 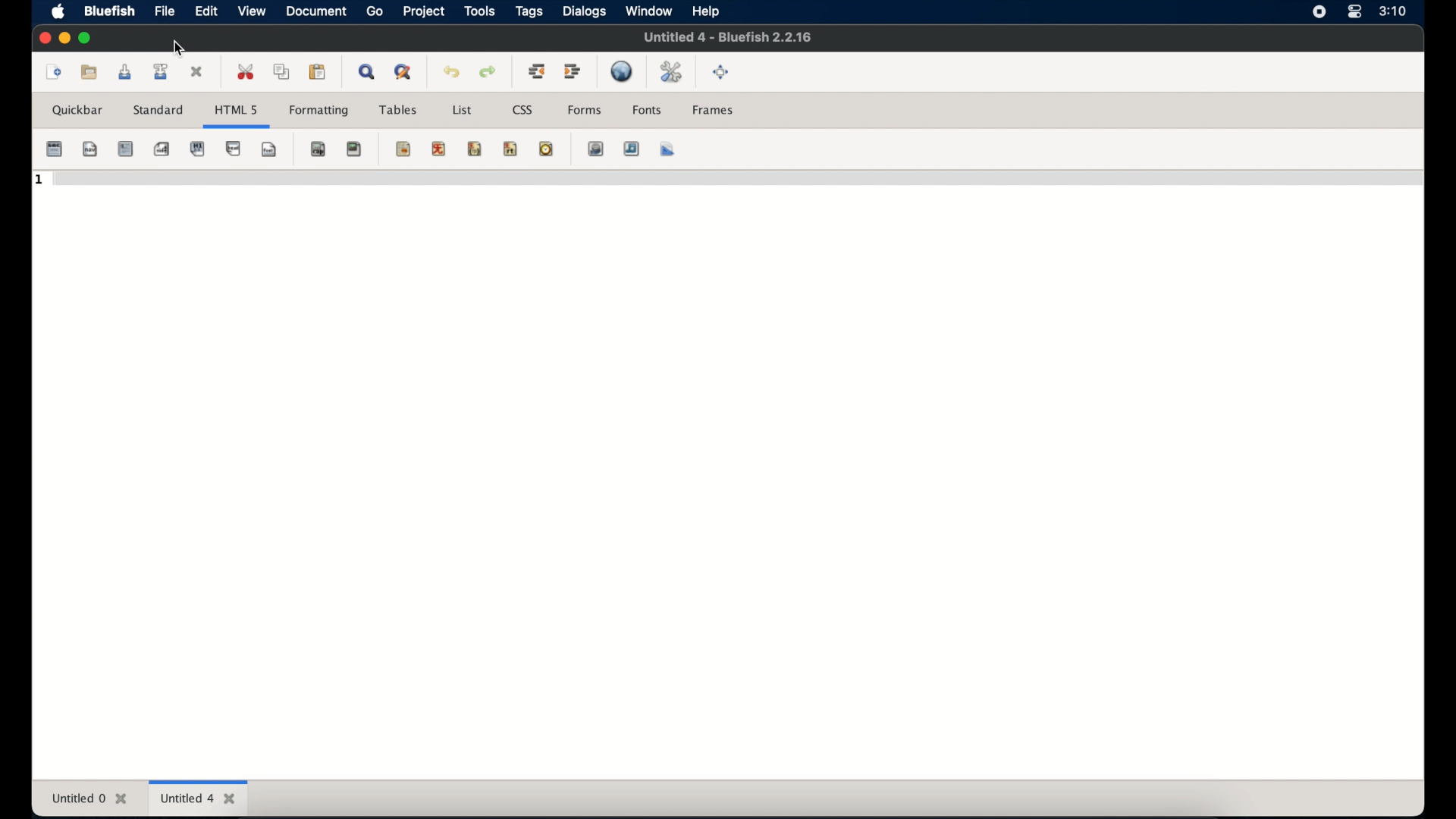 What do you see at coordinates (206, 11) in the screenshot?
I see `edit` at bounding box center [206, 11].